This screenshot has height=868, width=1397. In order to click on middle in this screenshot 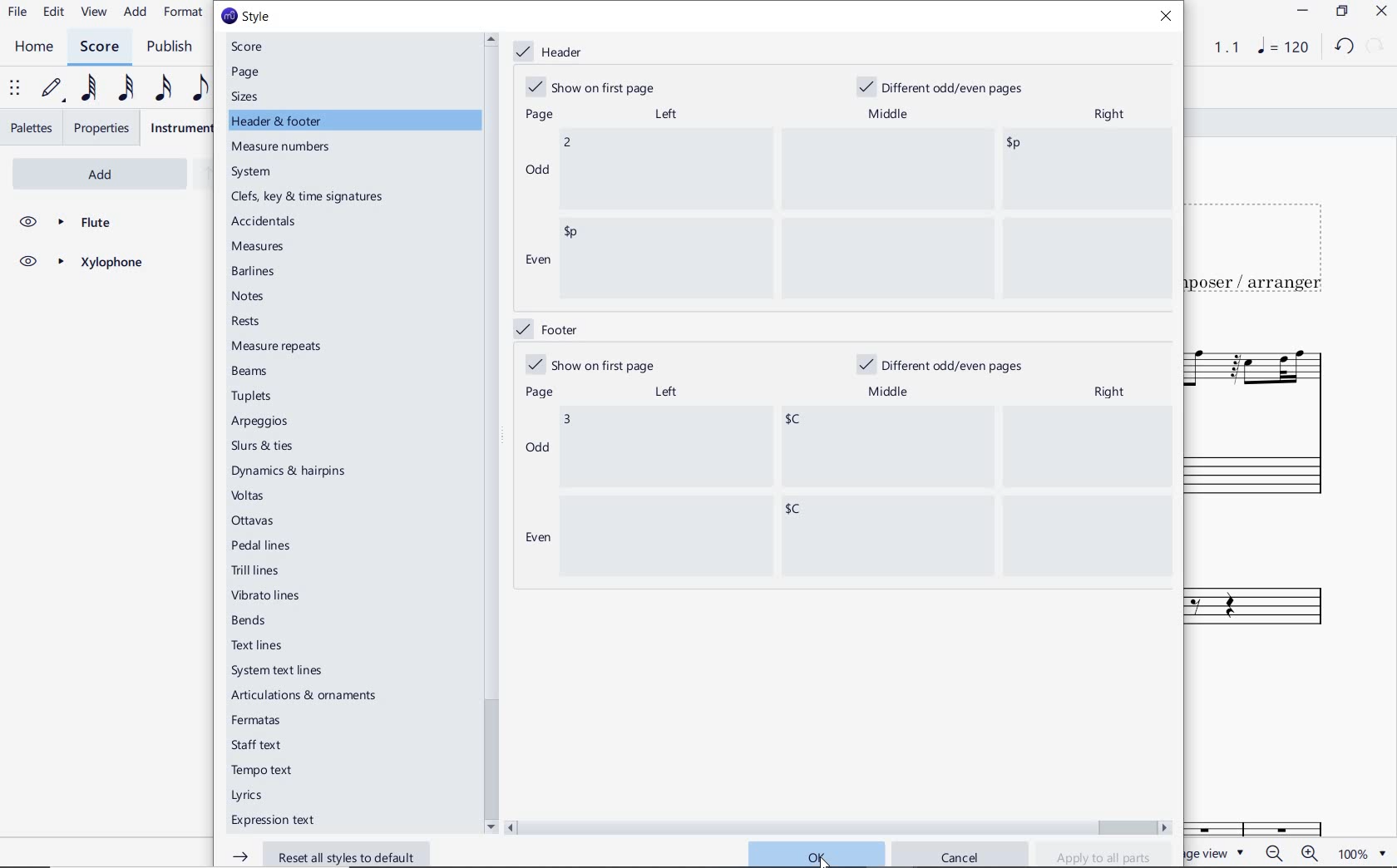, I will do `click(891, 392)`.